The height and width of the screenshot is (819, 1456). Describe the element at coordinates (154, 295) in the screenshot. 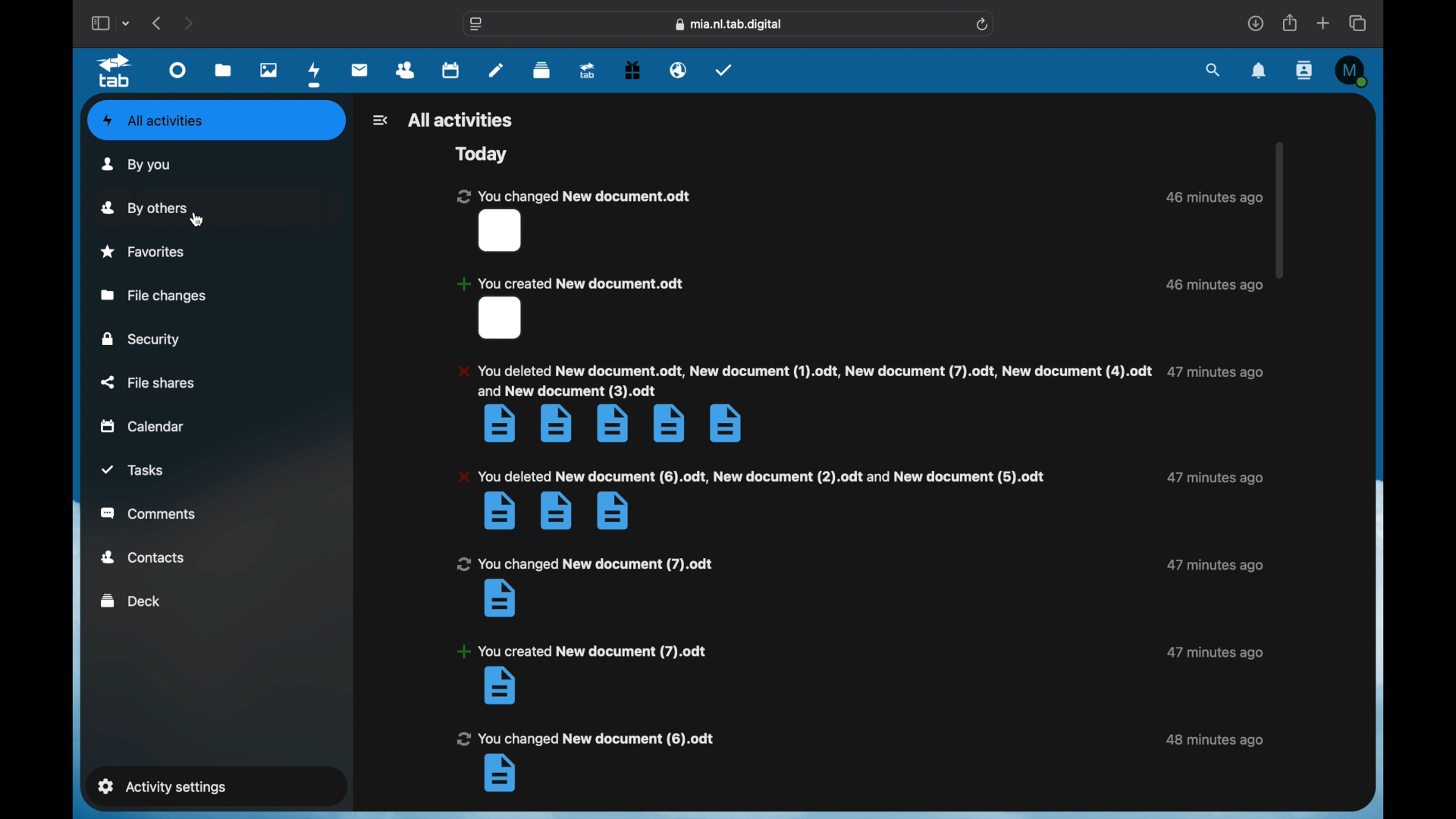

I see `file changes` at that location.